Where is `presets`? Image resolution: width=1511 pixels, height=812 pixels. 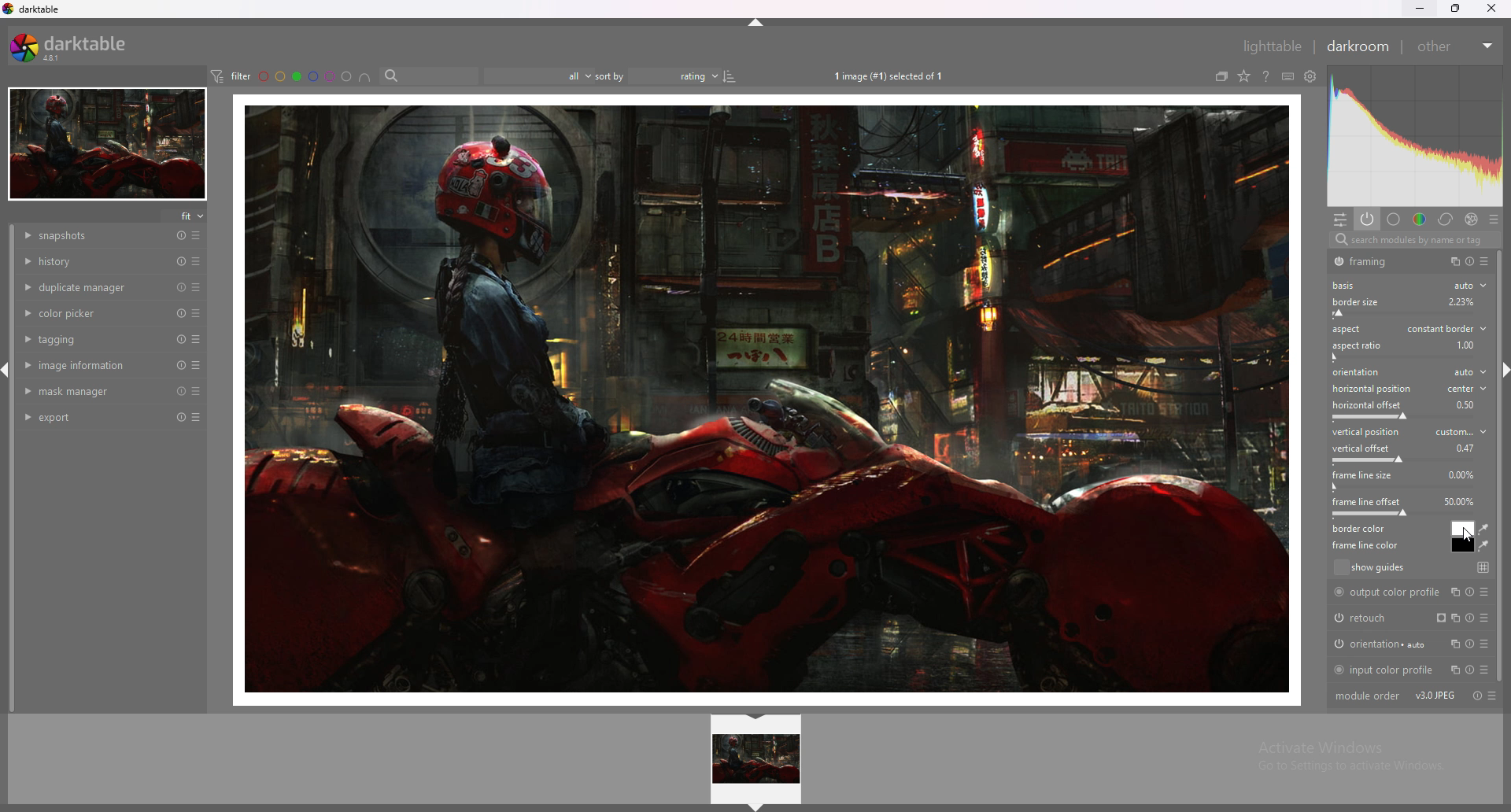
presets is located at coordinates (198, 313).